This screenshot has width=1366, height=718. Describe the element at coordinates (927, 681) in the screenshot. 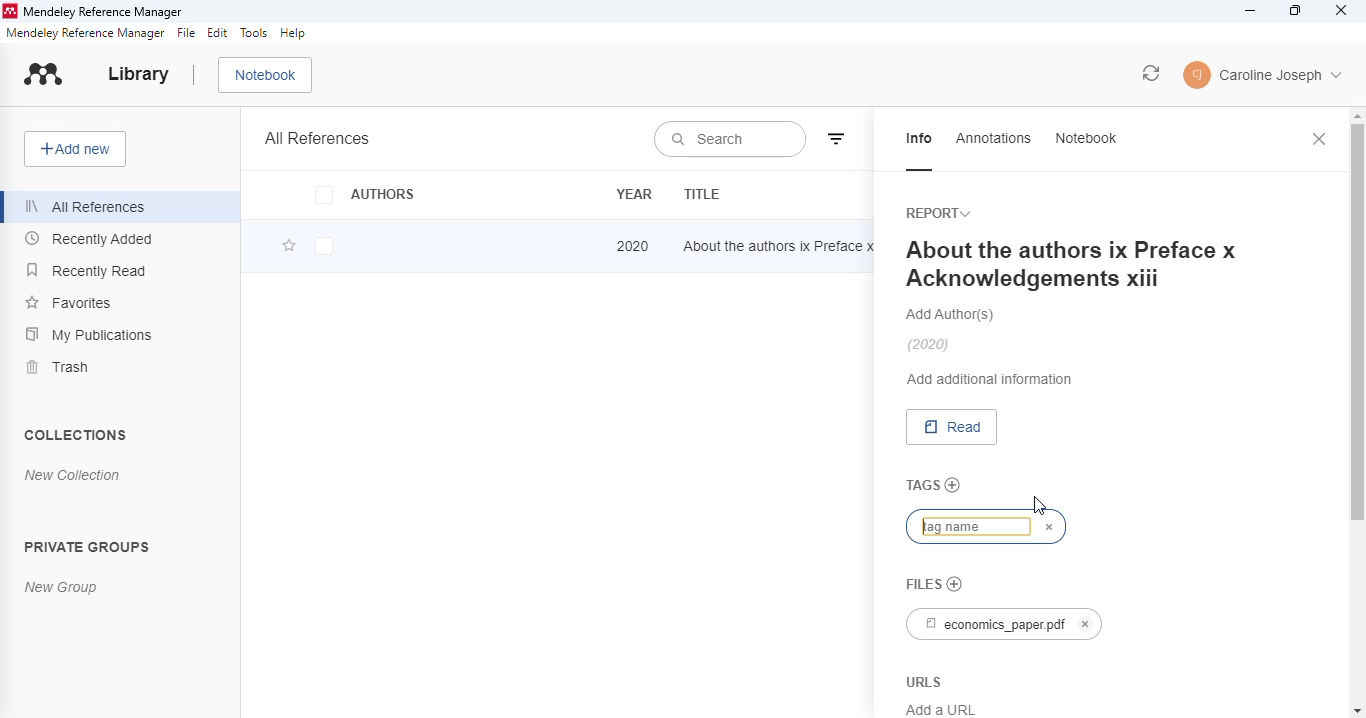

I see `URLS` at that location.